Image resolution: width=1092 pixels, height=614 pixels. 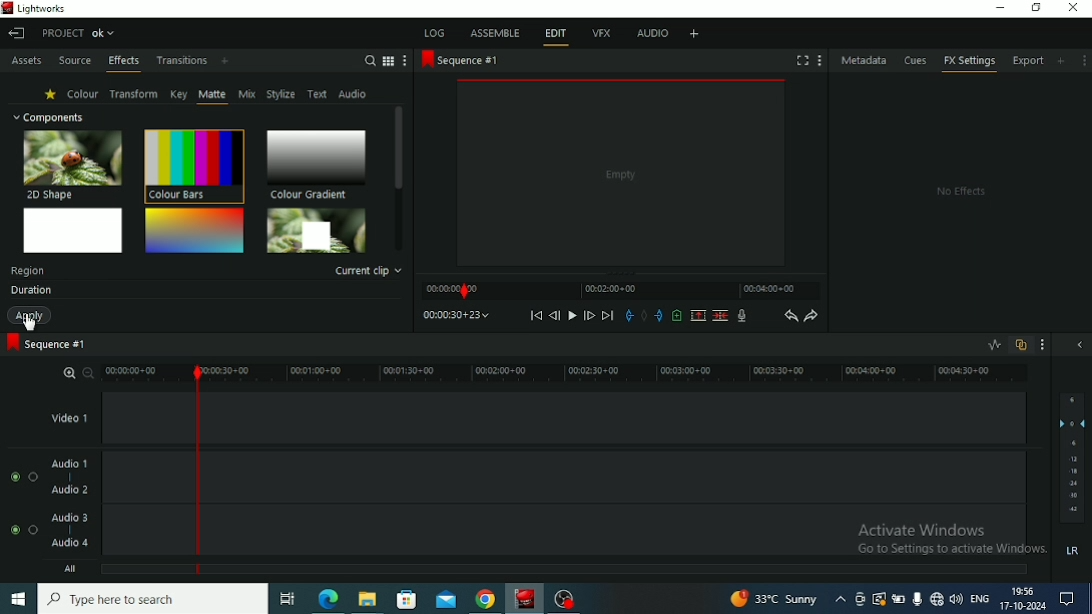 I want to click on Weather Sunny, so click(x=788, y=599).